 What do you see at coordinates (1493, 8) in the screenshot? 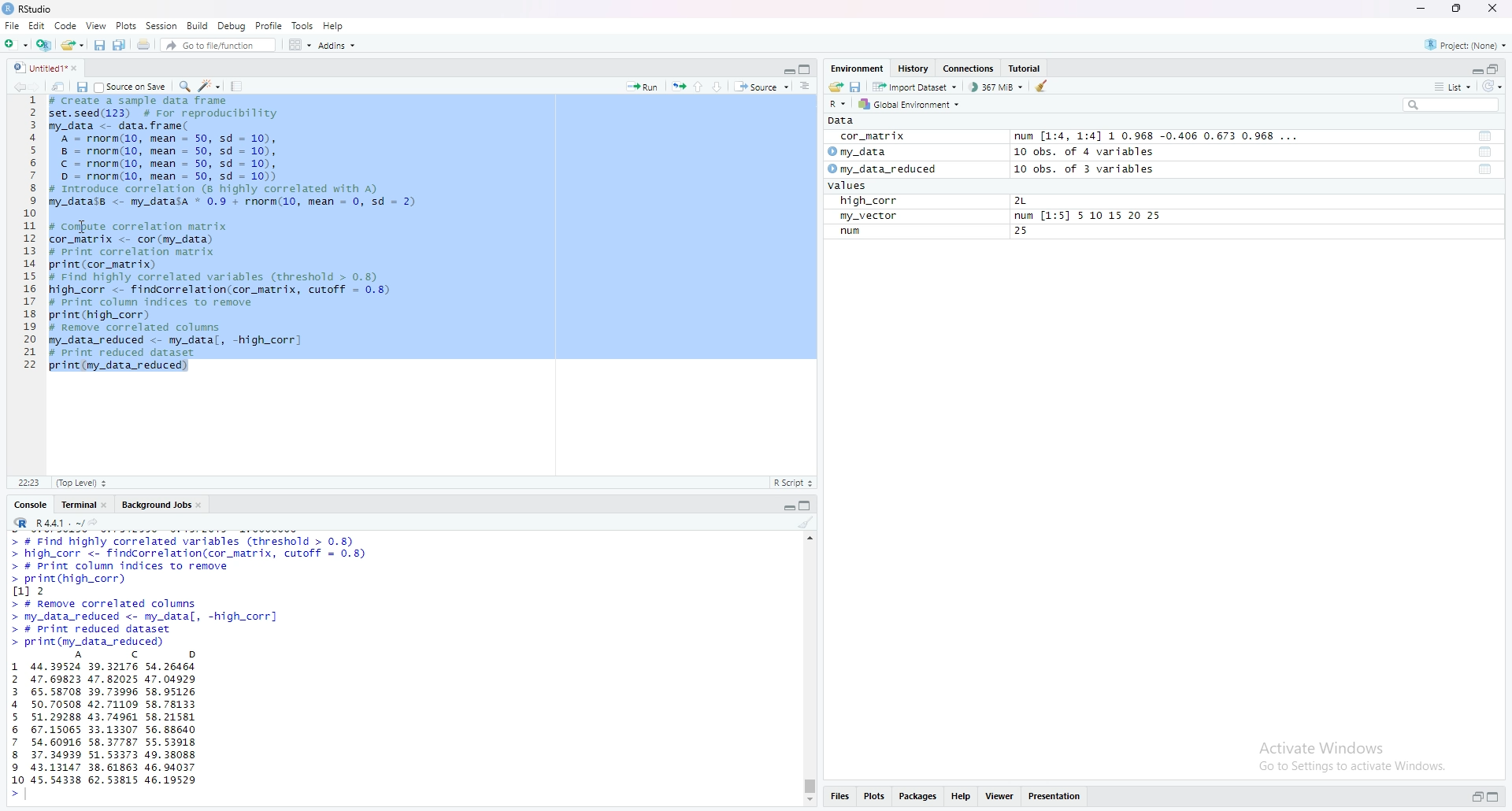
I see `close` at bounding box center [1493, 8].